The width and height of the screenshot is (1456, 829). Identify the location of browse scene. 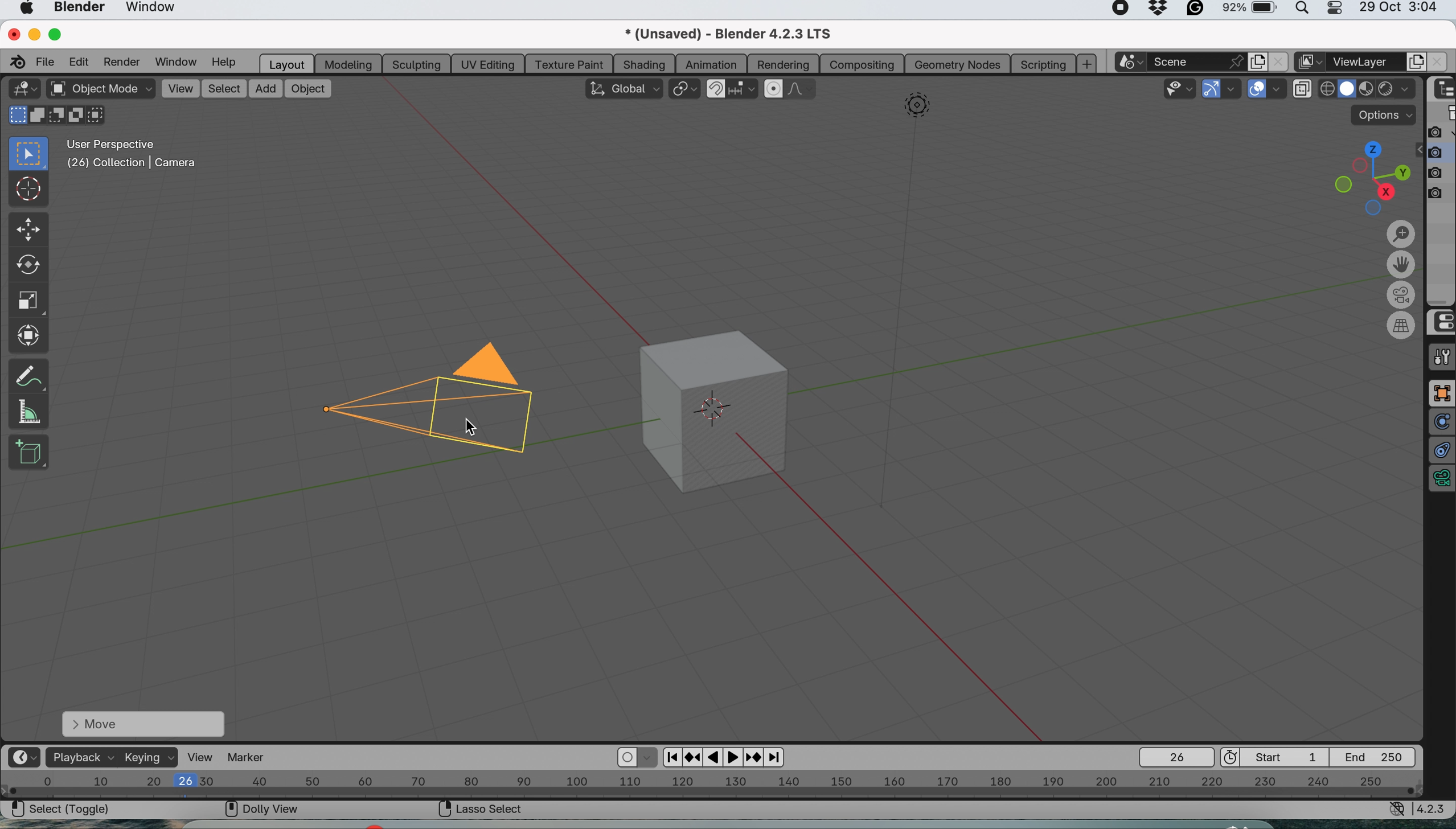
(1134, 62).